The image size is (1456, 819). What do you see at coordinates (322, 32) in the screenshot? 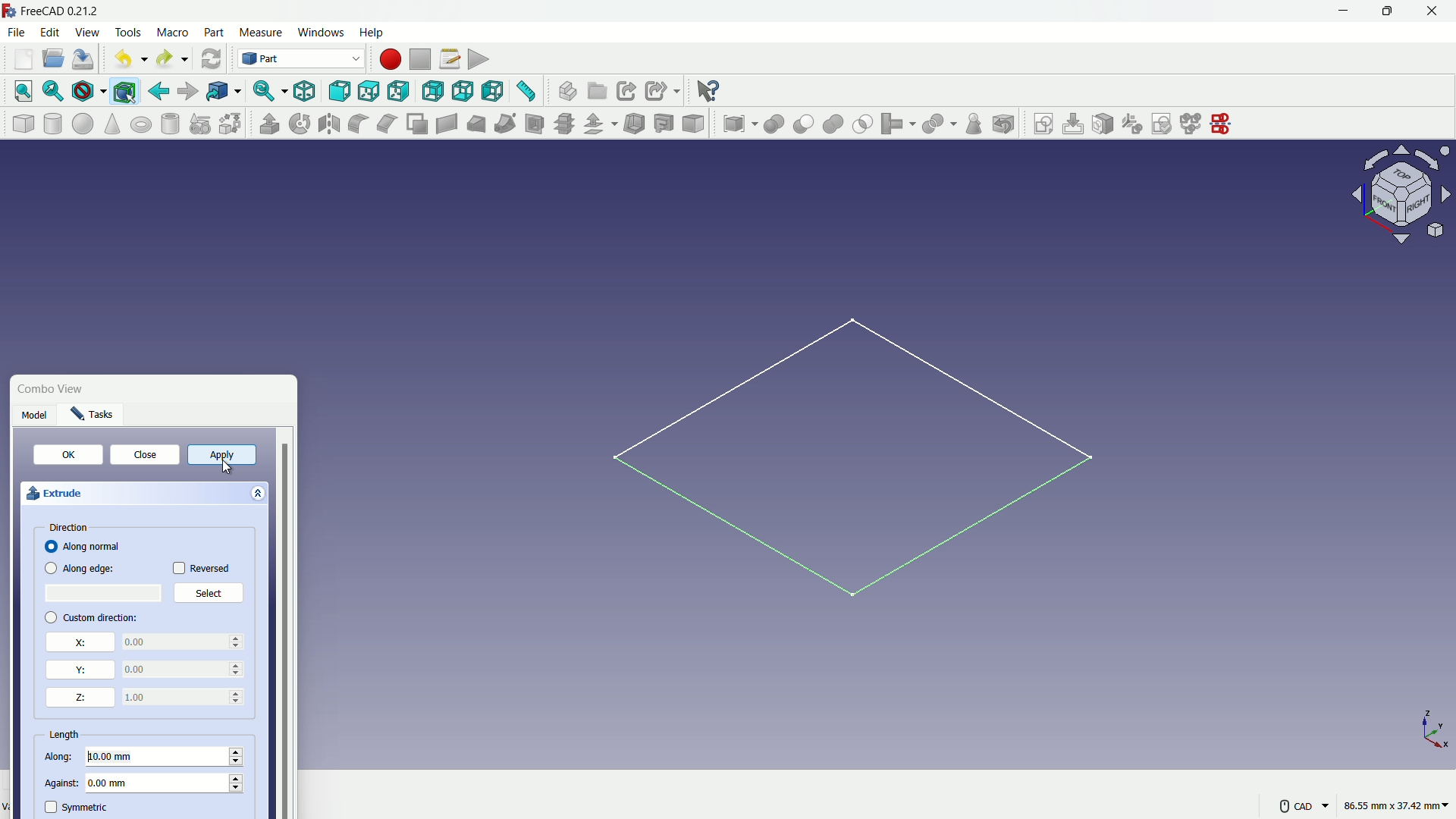
I see `windows` at bounding box center [322, 32].